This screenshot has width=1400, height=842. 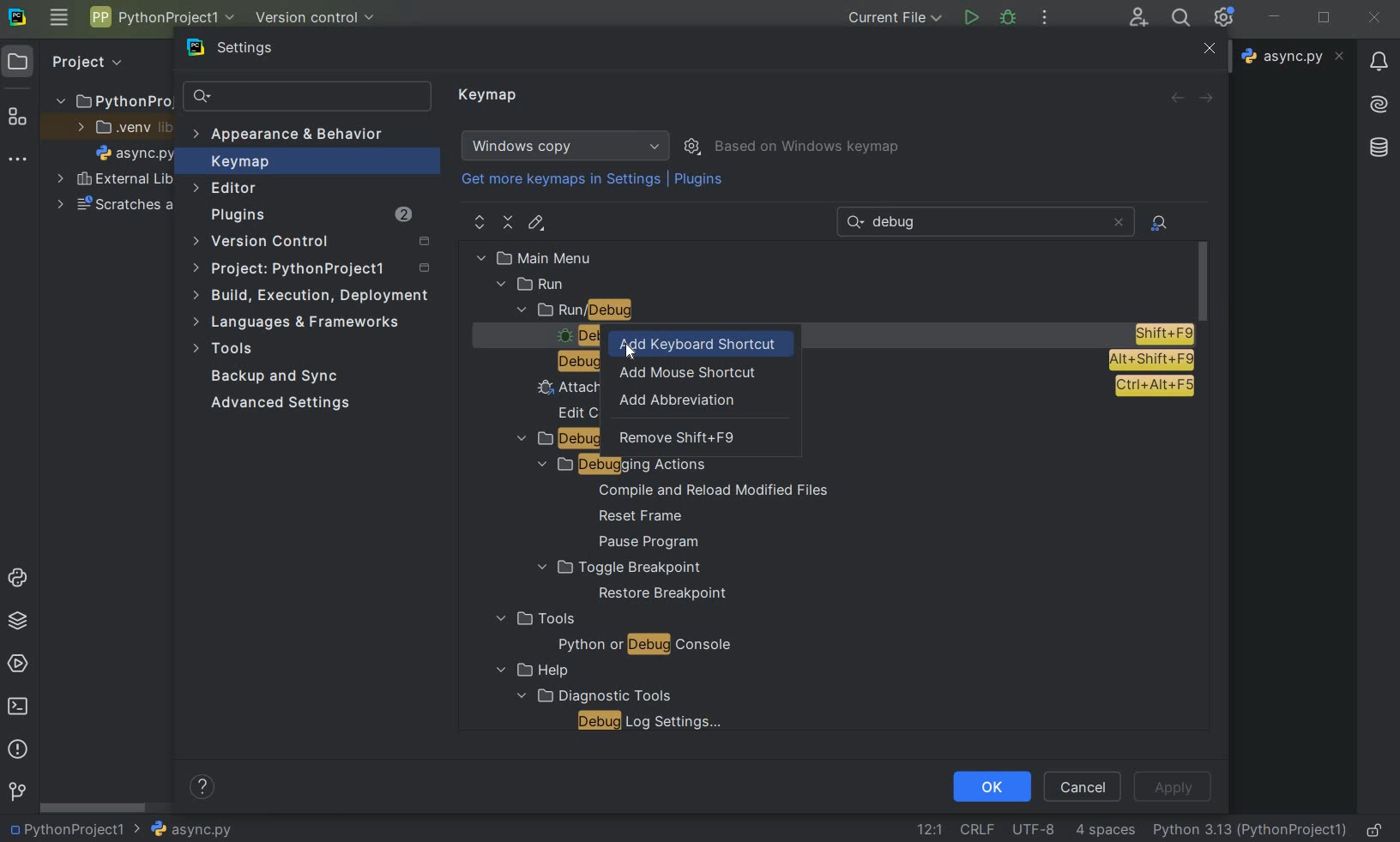 What do you see at coordinates (1178, 20) in the screenshot?
I see `search everywhere` at bounding box center [1178, 20].